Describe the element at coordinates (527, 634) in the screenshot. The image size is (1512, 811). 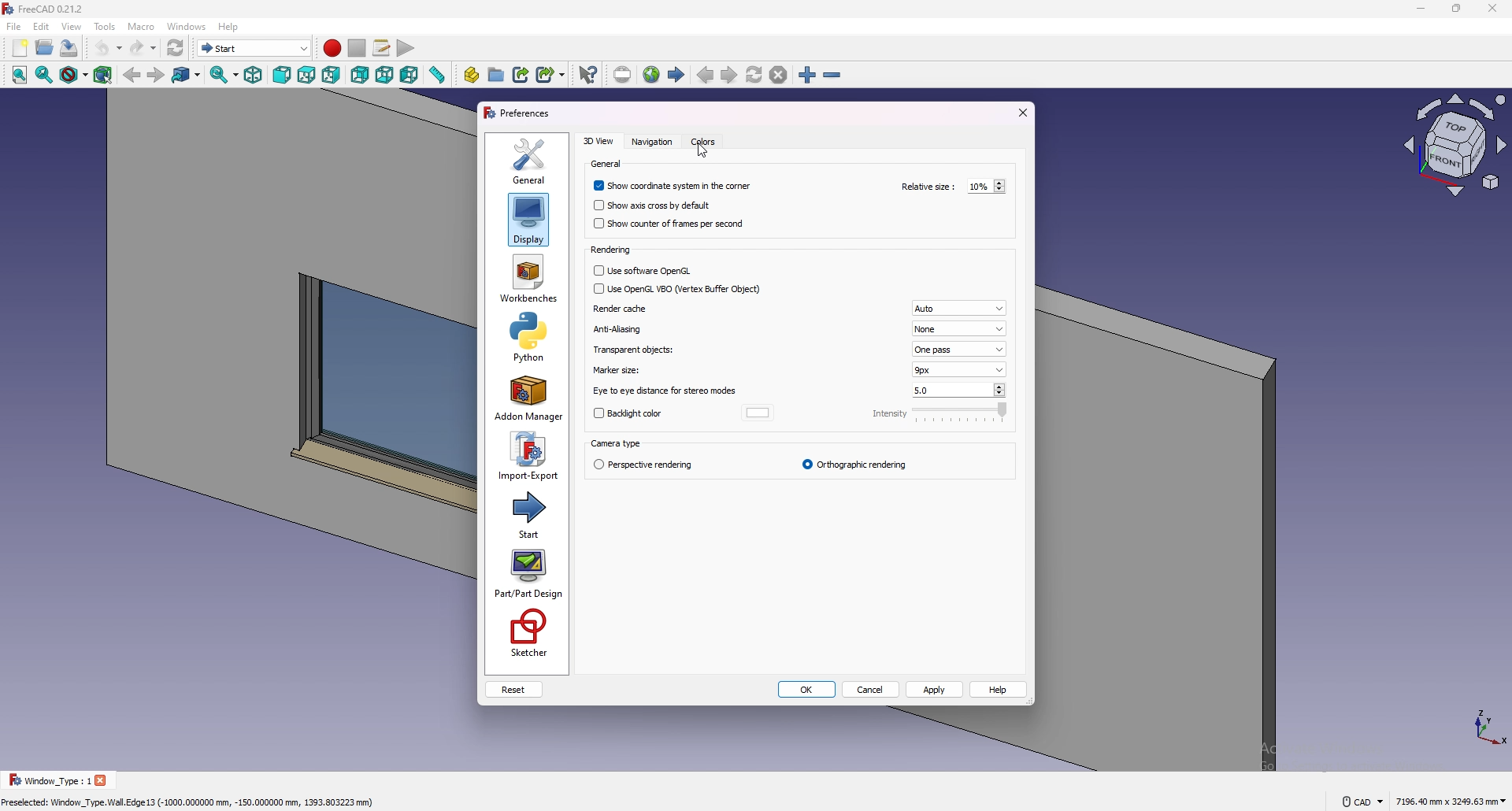
I see `sketcher` at that location.